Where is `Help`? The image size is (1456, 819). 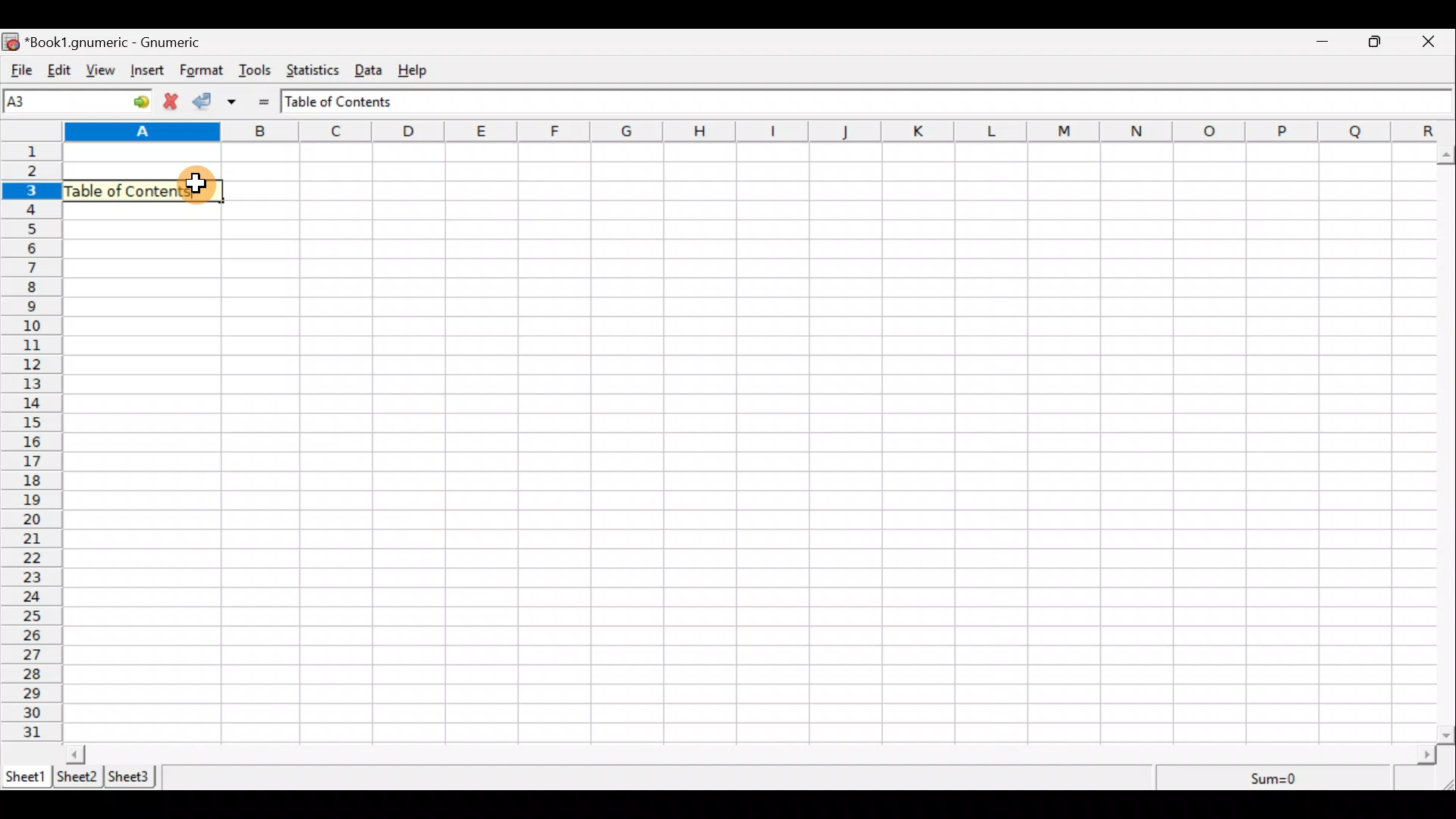
Help is located at coordinates (420, 71).